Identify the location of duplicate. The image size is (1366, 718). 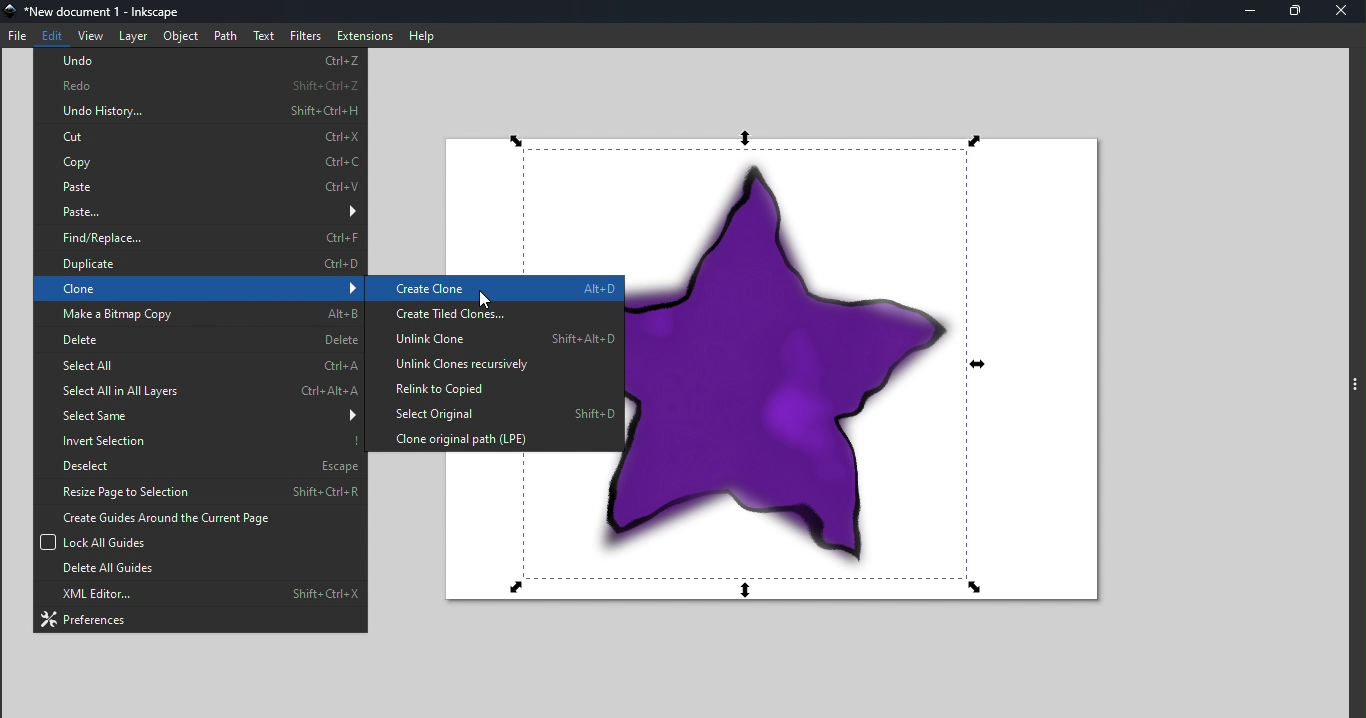
(200, 265).